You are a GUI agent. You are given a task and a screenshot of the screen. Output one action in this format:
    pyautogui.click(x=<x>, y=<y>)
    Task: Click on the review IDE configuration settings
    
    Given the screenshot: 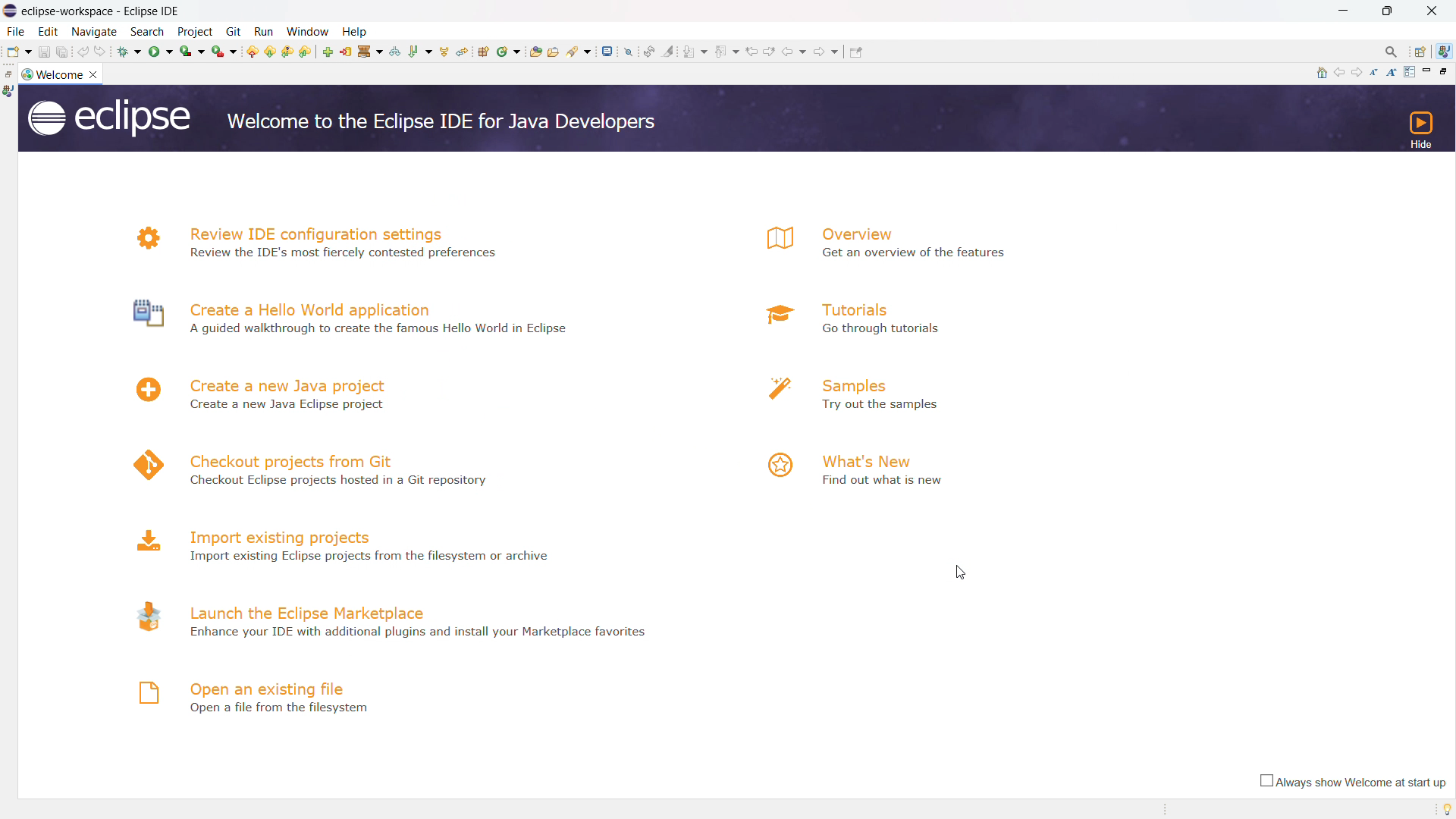 What is the action you would take?
    pyautogui.click(x=315, y=231)
    